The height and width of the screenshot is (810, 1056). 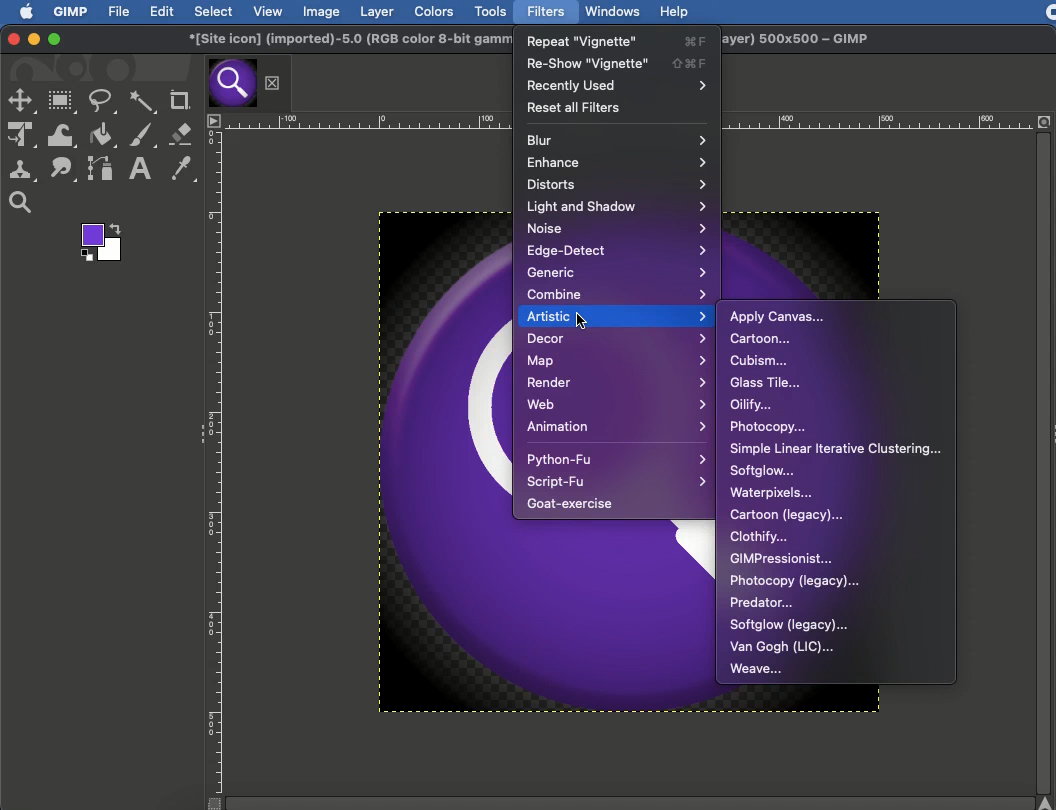 What do you see at coordinates (617, 381) in the screenshot?
I see `Render` at bounding box center [617, 381].